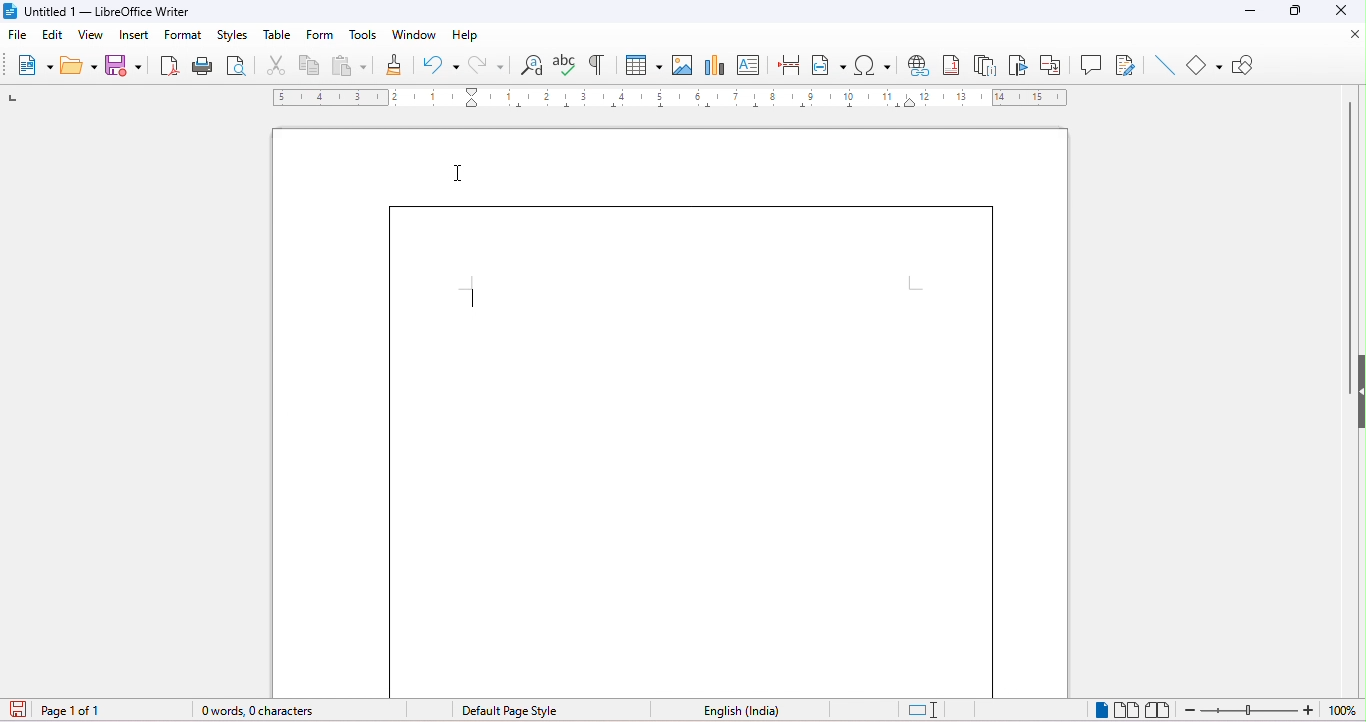 The image size is (1366, 722). I want to click on table, so click(278, 37).